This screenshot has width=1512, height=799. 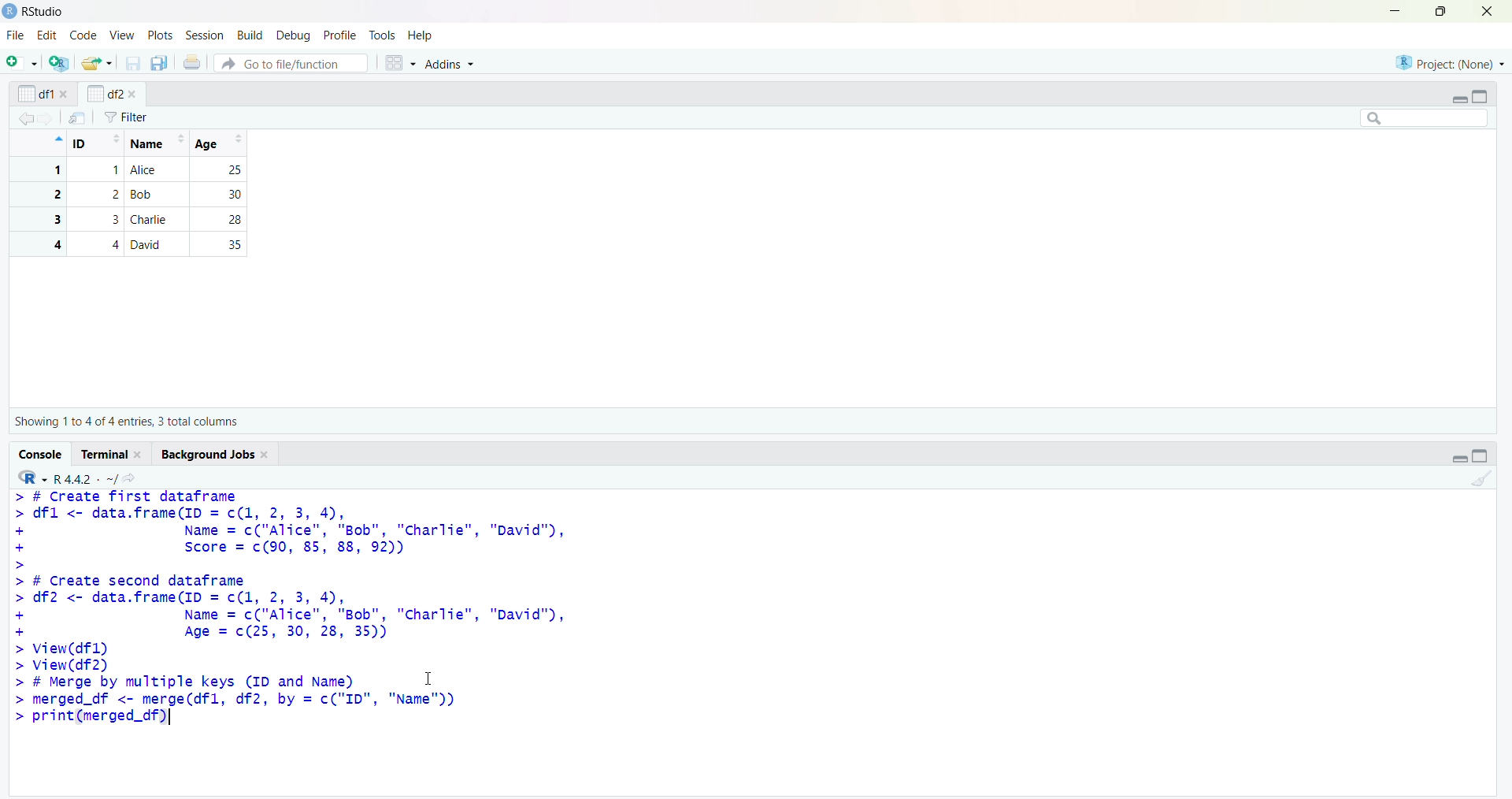 I want to click on RStudio, so click(x=45, y=12).